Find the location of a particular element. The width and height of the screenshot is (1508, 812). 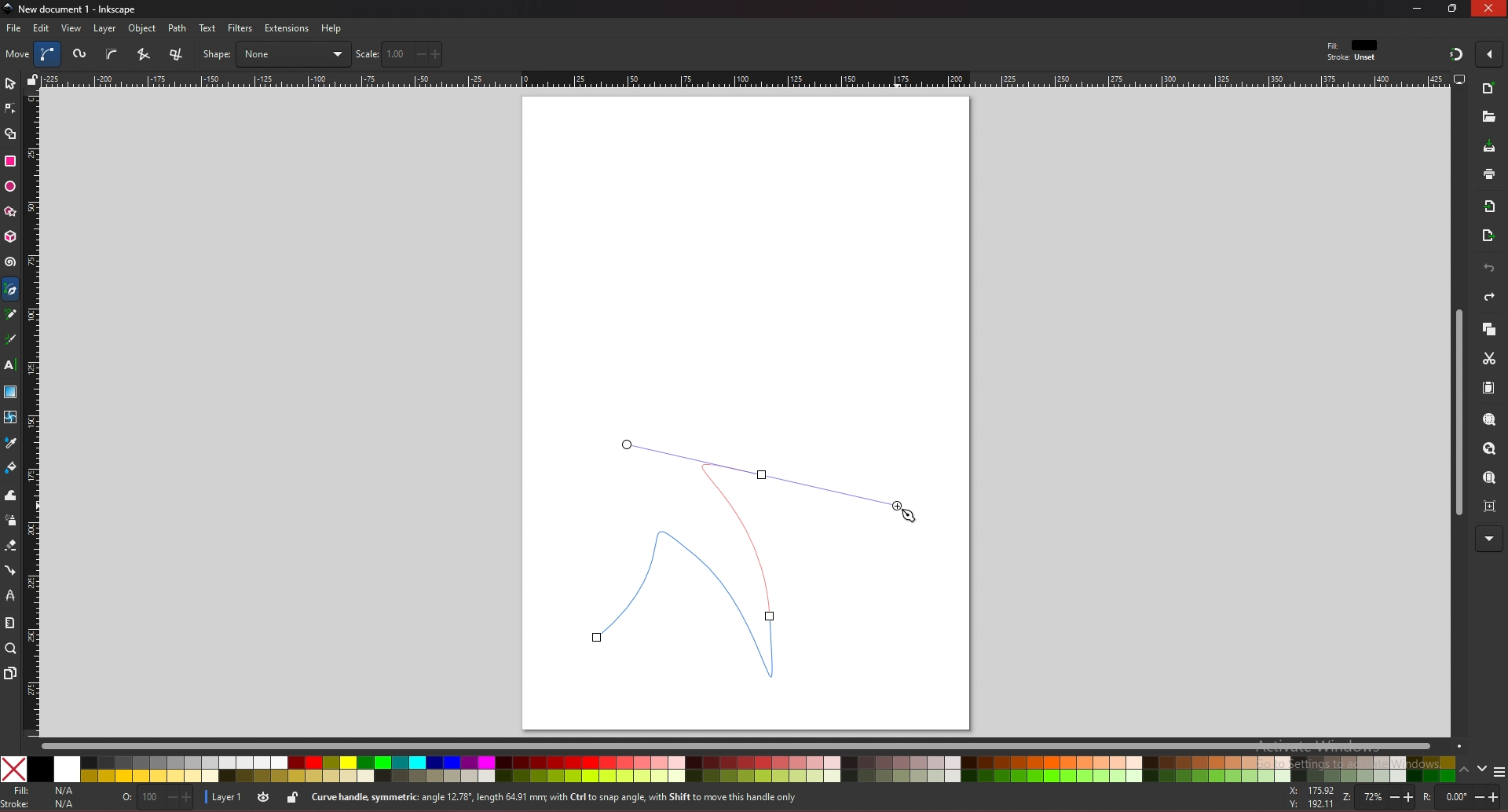

help is located at coordinates (332, 28).